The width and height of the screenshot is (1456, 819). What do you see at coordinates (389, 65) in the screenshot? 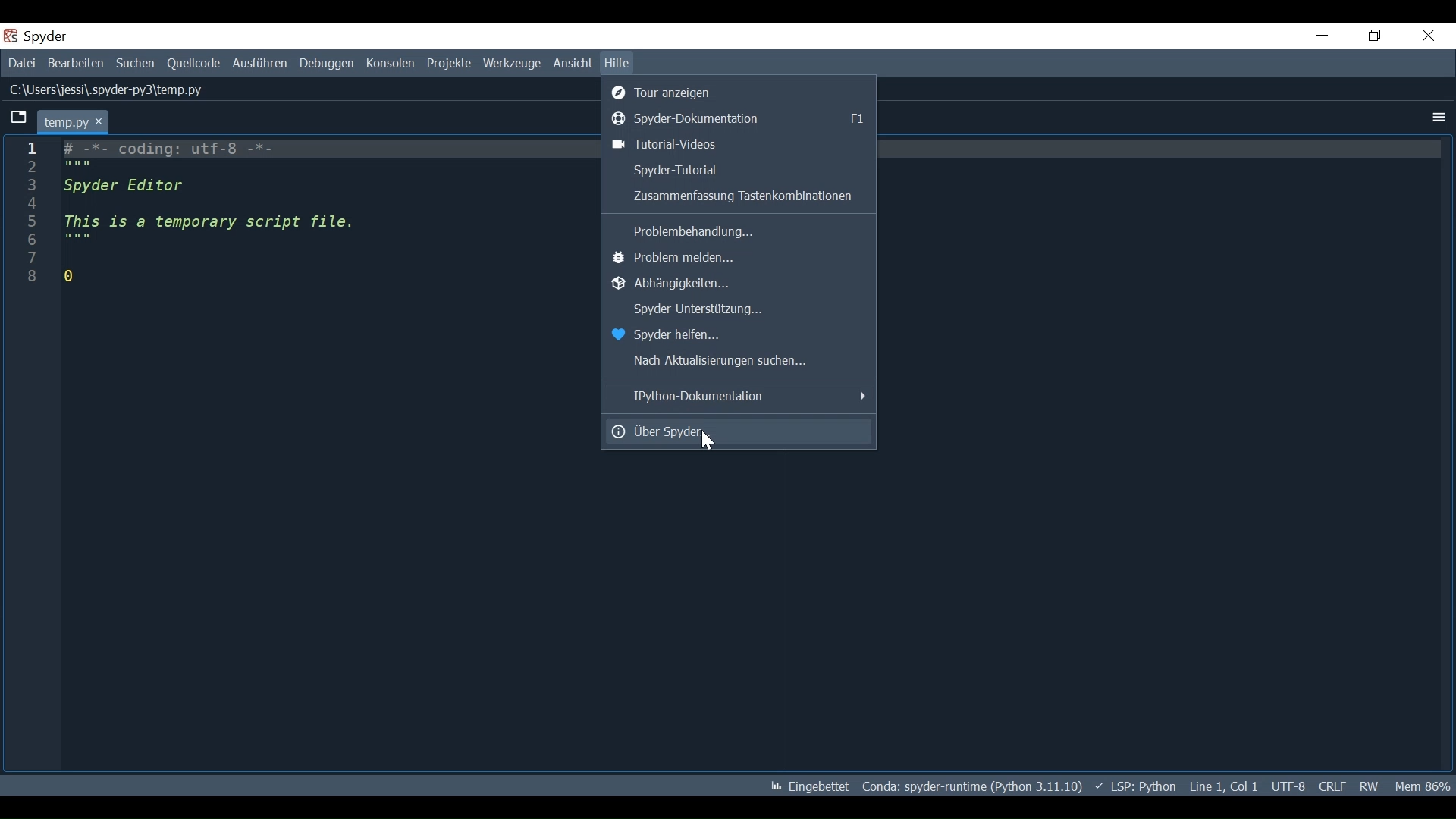
I see `Consoles` at bounding box center [389, 65].